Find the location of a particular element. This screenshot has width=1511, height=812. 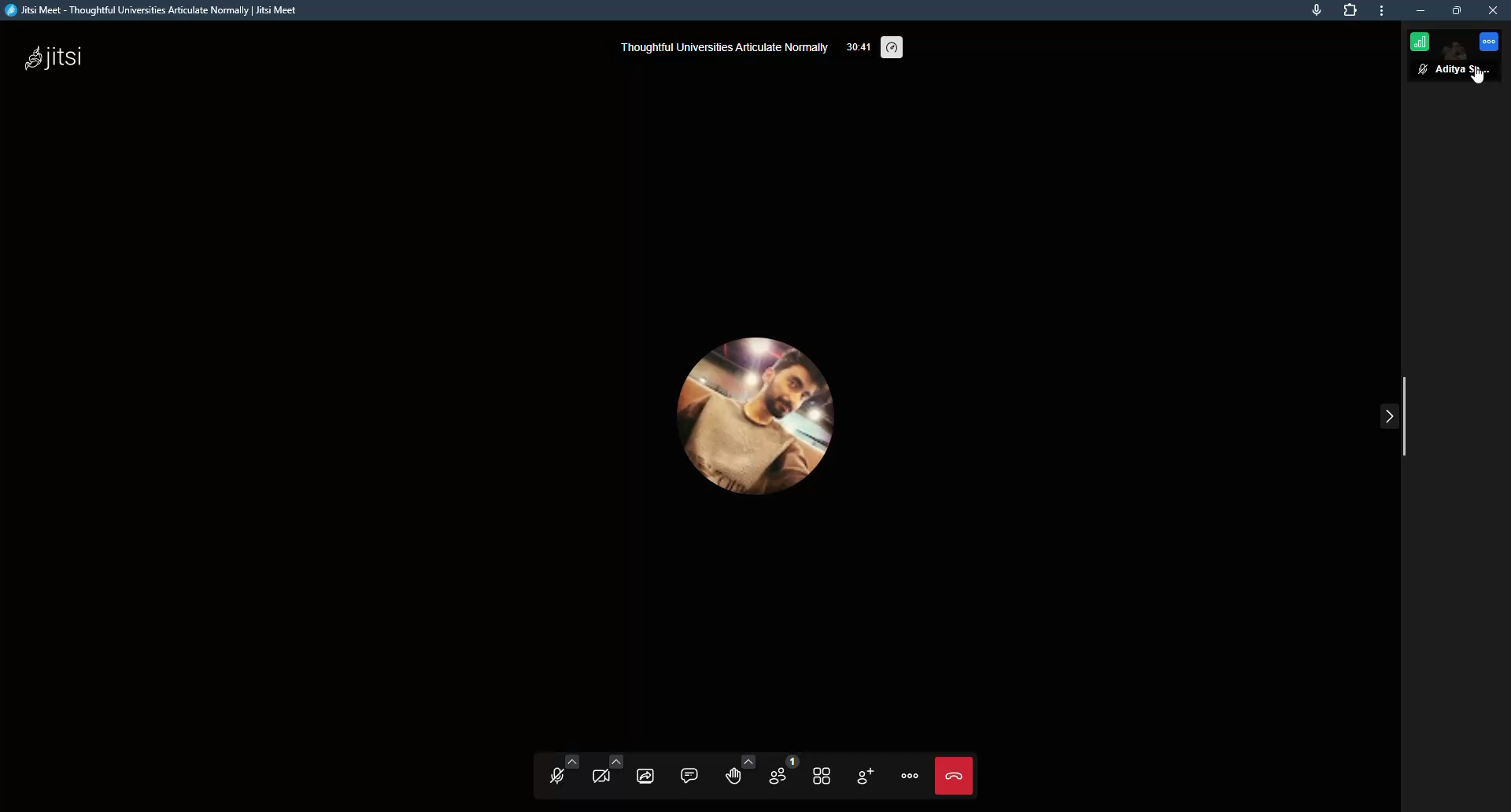

raise your hand is located at coordinates (734, 771).